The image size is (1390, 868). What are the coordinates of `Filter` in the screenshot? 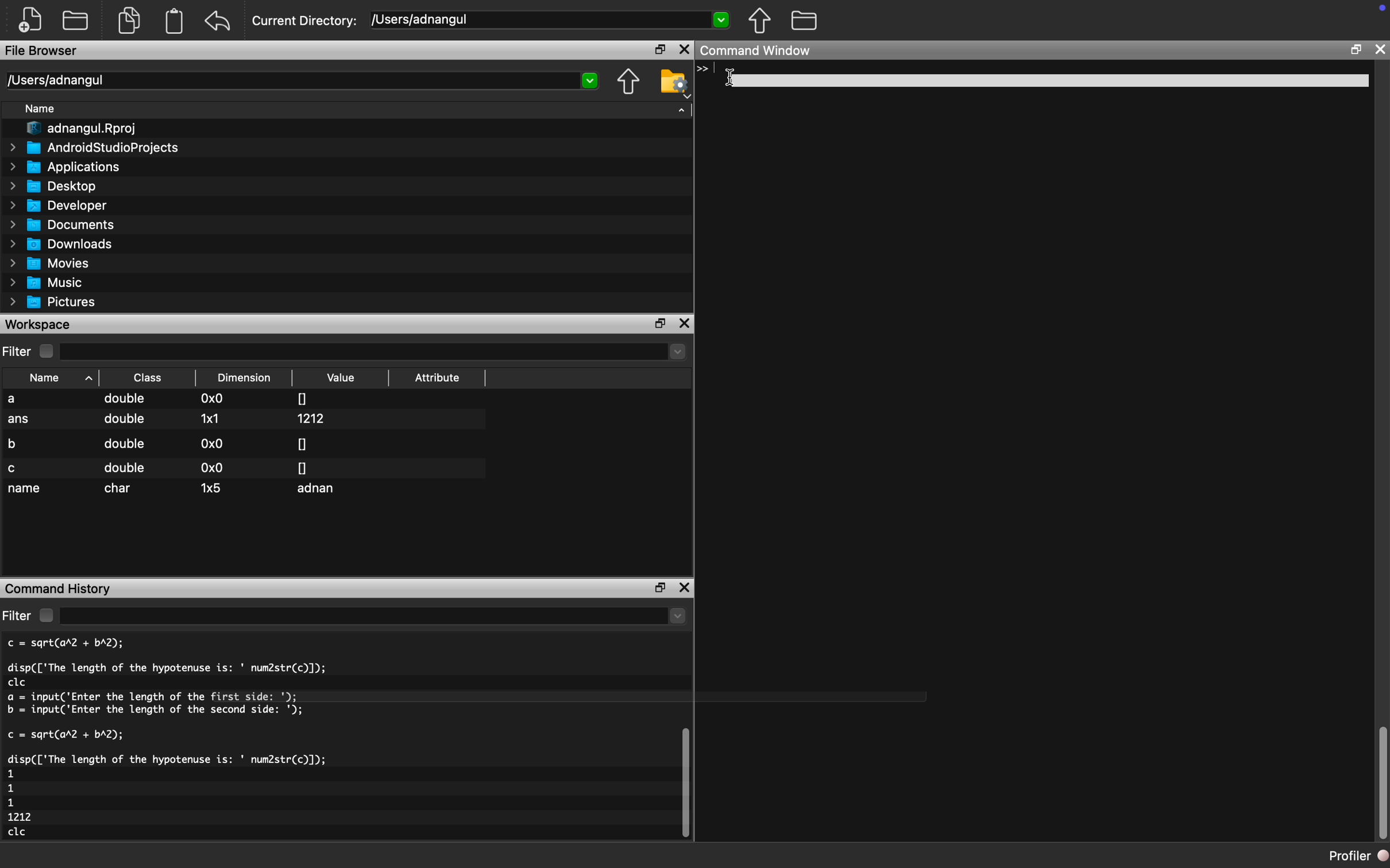 It's located at (18, 352).